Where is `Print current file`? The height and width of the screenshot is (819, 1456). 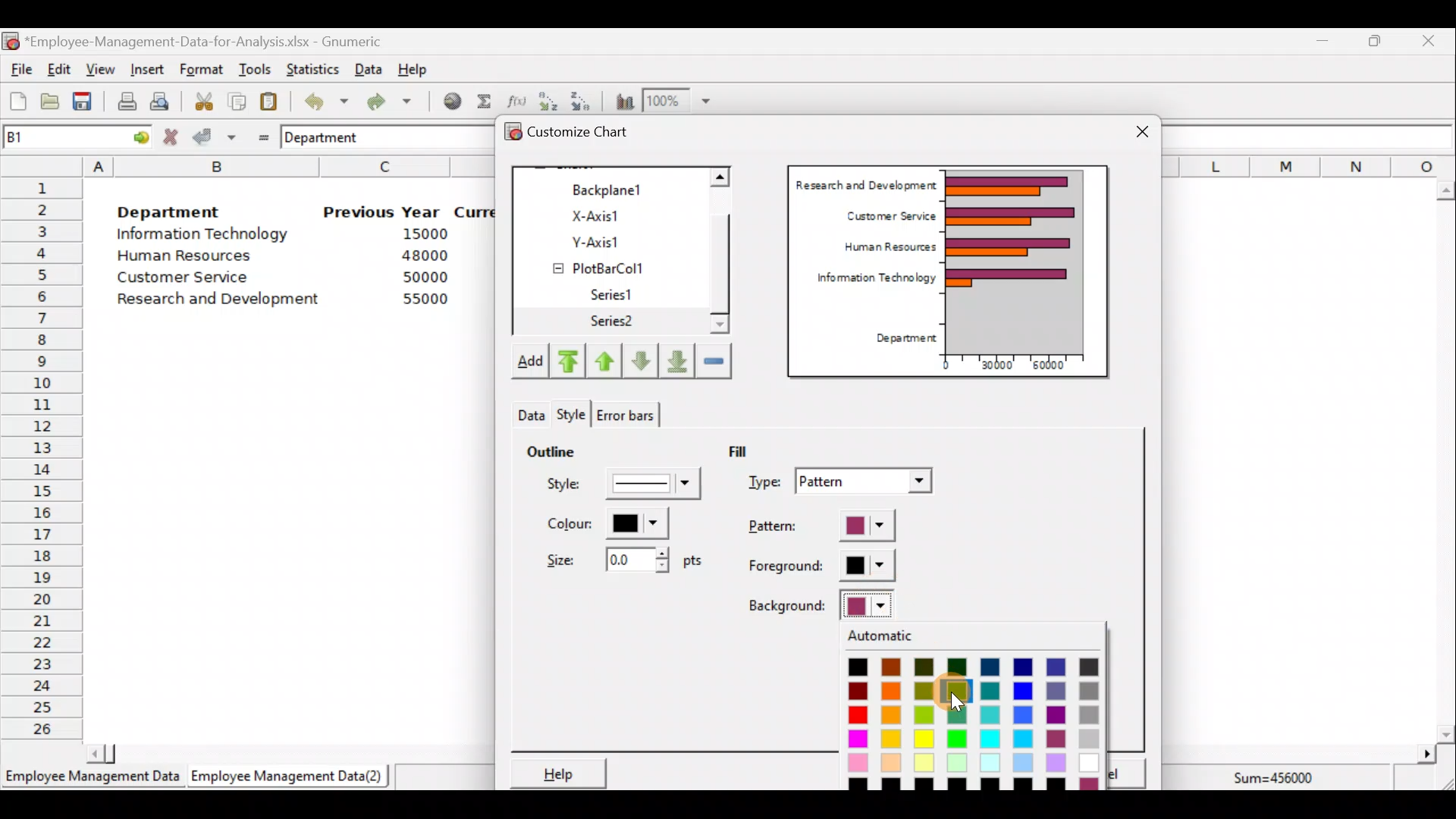 Print current file is located at coordinates (127, 101).